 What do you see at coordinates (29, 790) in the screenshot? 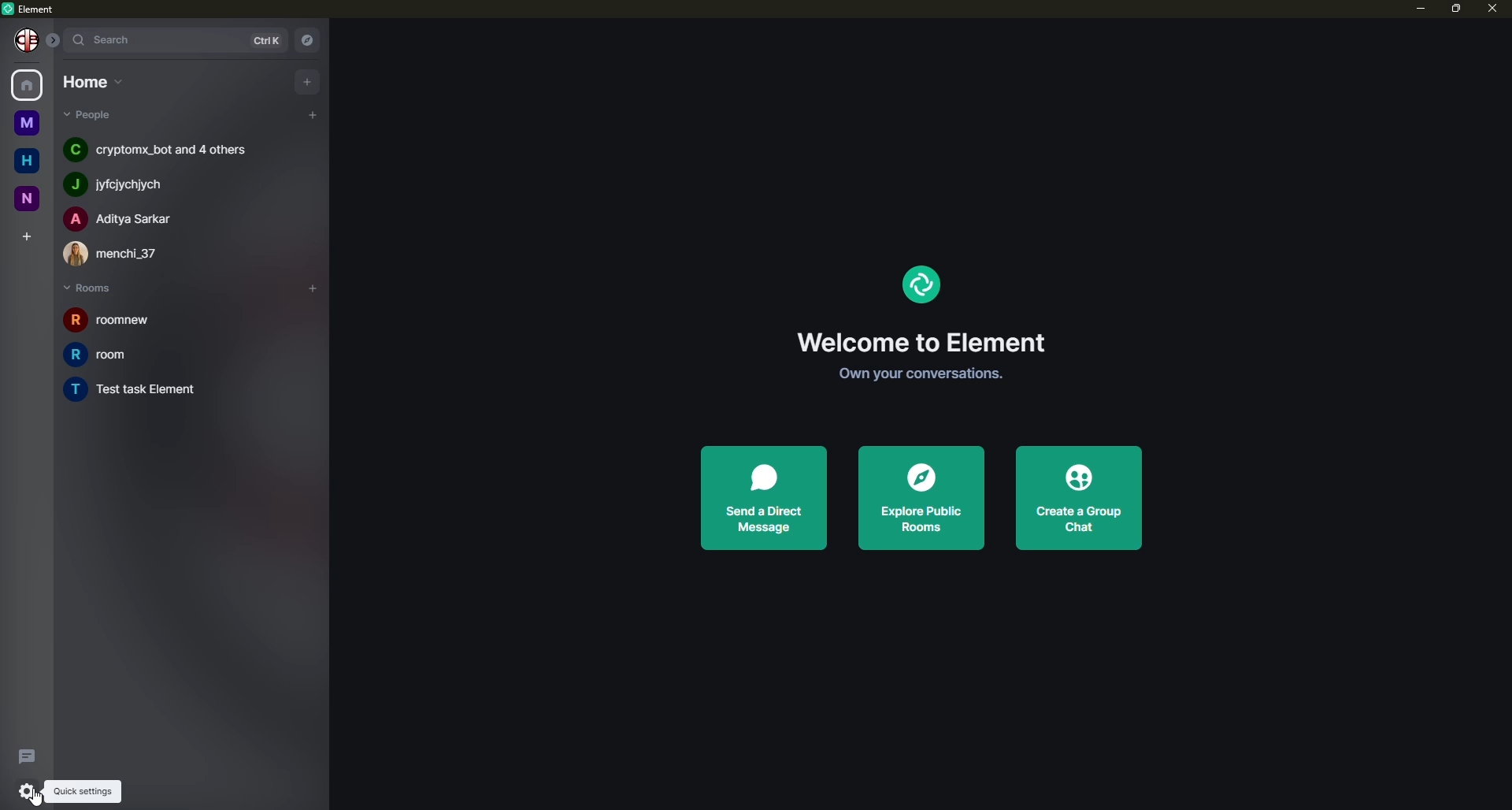
I see `quick settings` at bounding box center [29, 790].